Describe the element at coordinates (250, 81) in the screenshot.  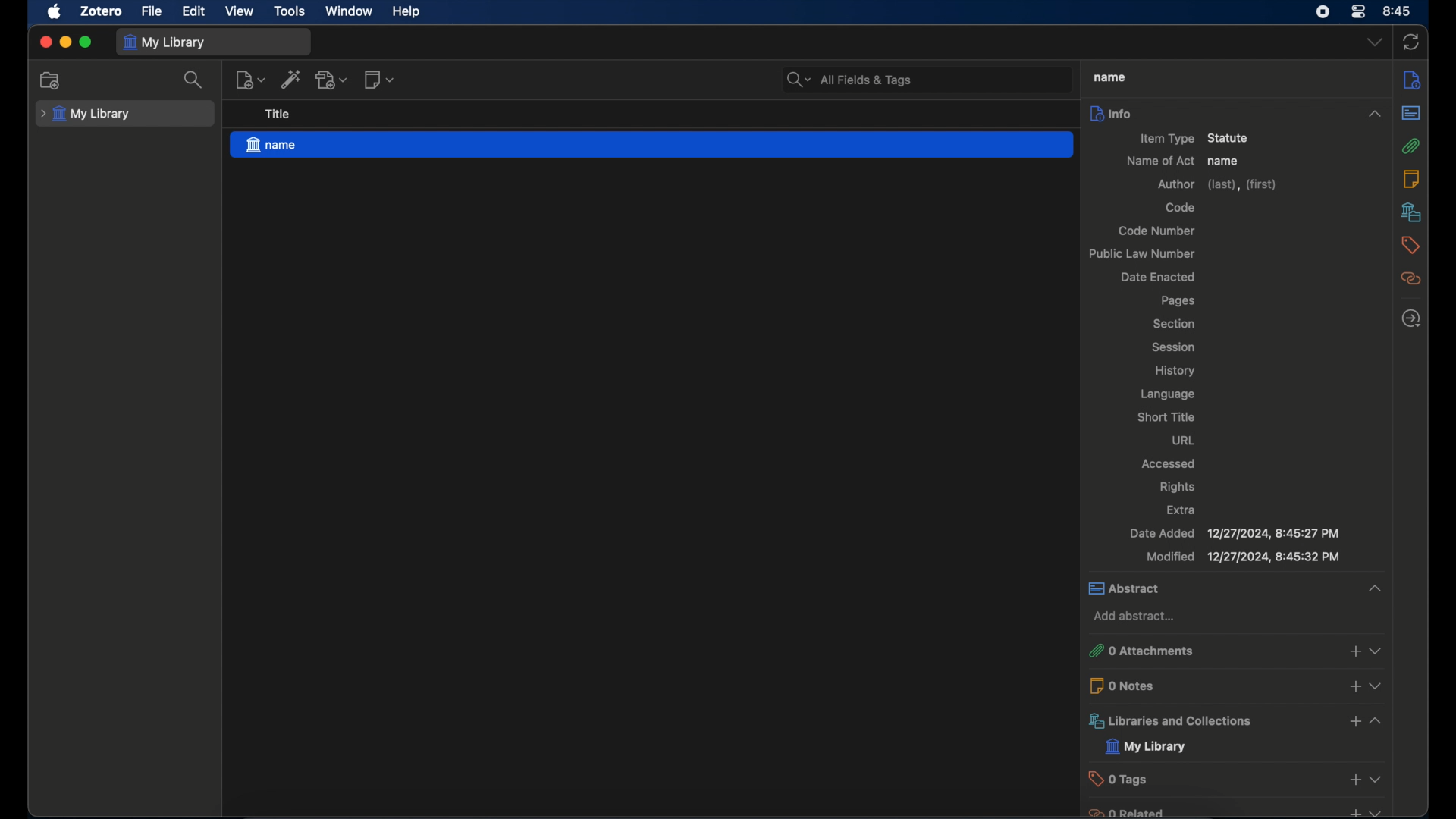
I see `new item` at that location.